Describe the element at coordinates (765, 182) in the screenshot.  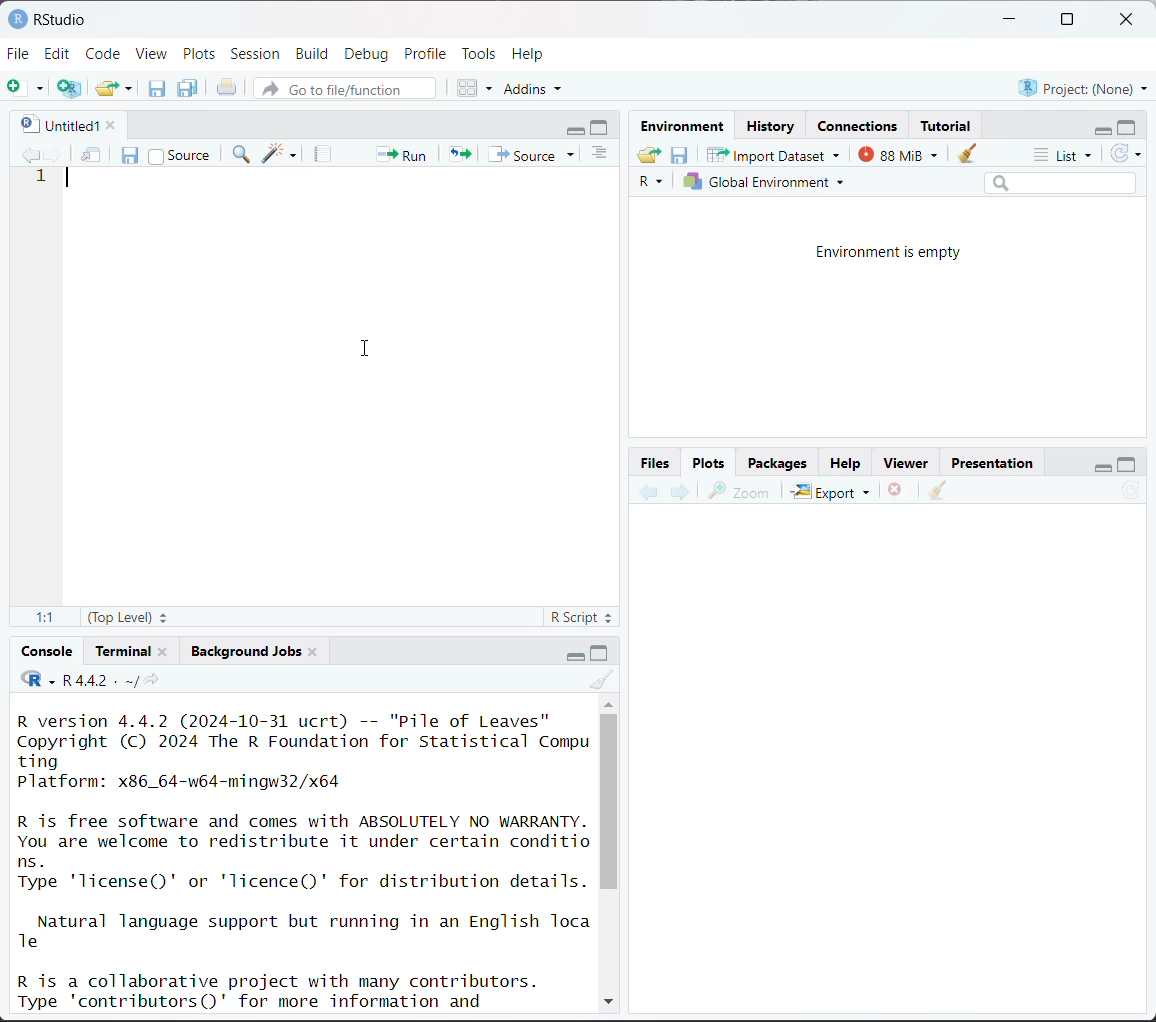
I see `Global environment` at that location.